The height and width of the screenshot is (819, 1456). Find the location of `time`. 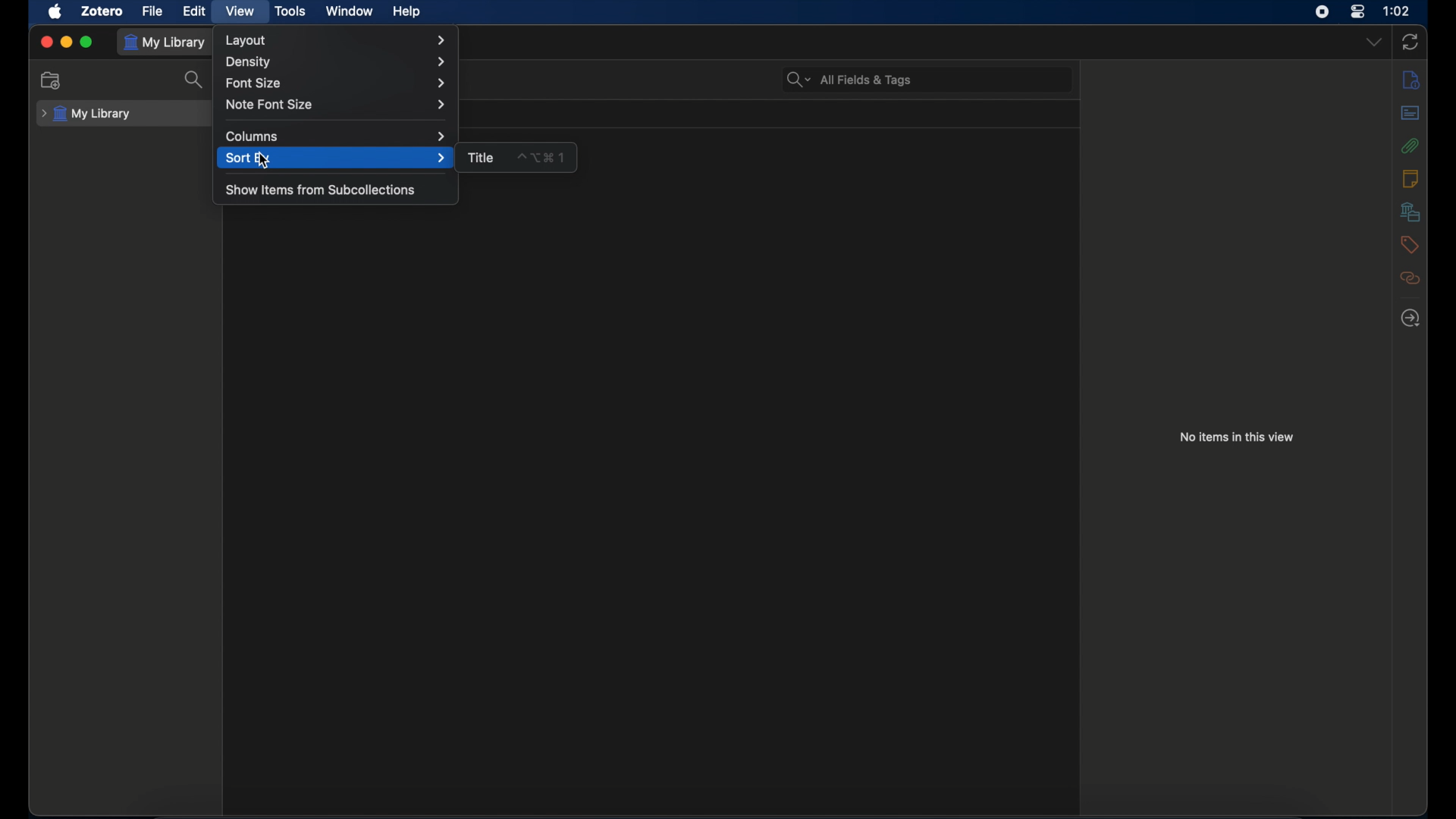

time is located at coordinates (1397, 10).